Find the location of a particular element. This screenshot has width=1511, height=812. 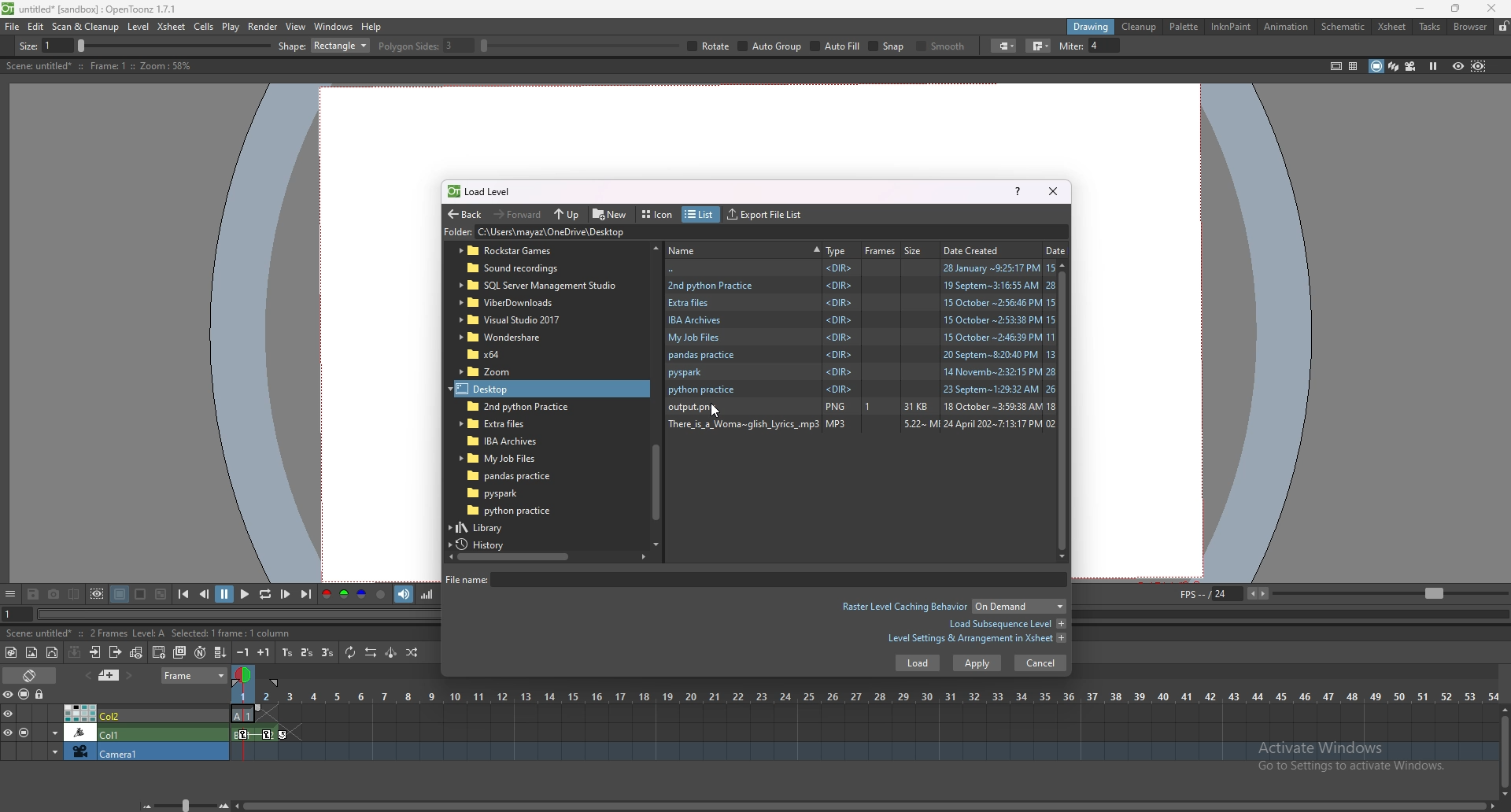

level settings and arrangement is located at coordinates (977, 638).